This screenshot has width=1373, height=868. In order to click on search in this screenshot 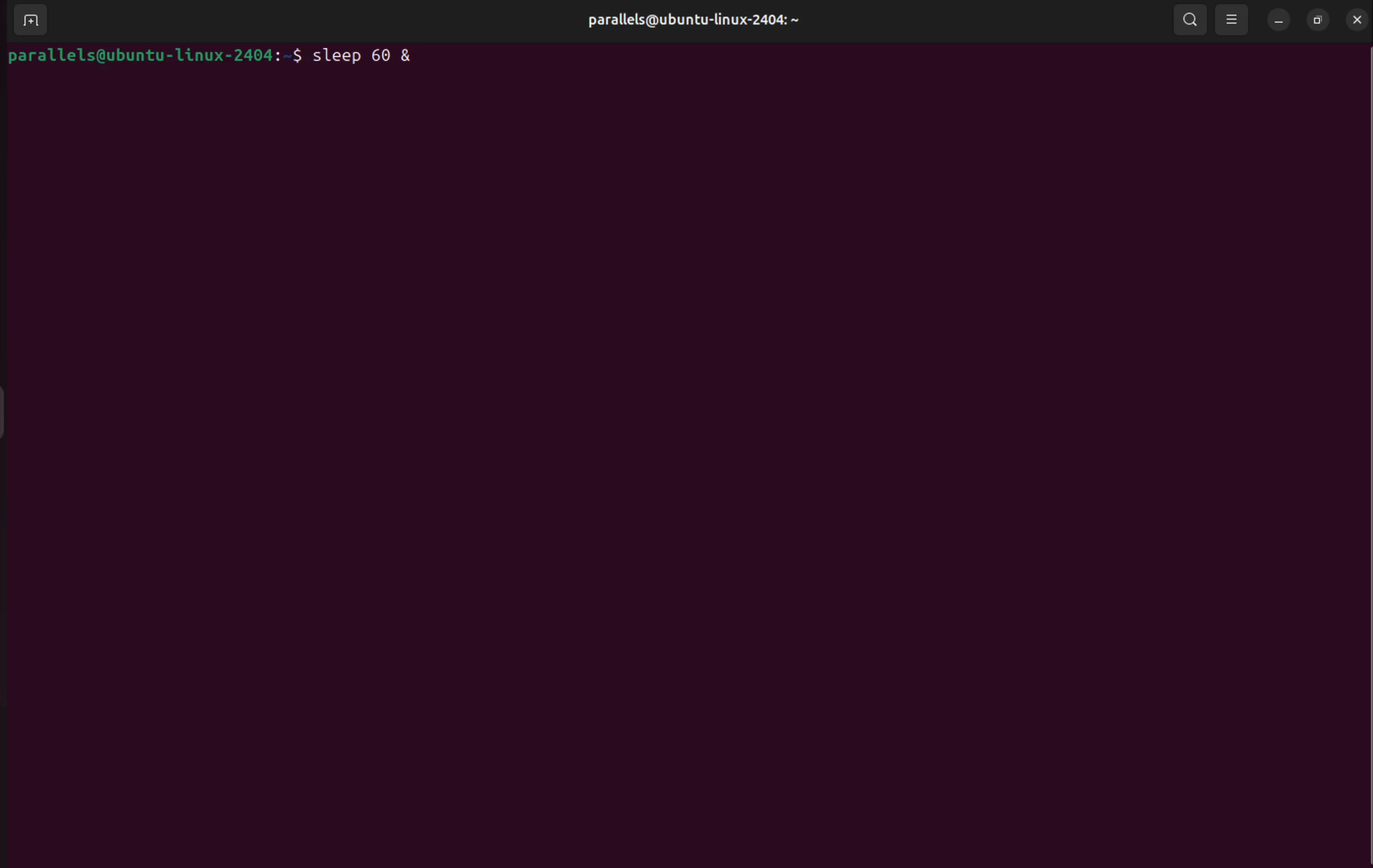, I will do `click(1187, 18)`.